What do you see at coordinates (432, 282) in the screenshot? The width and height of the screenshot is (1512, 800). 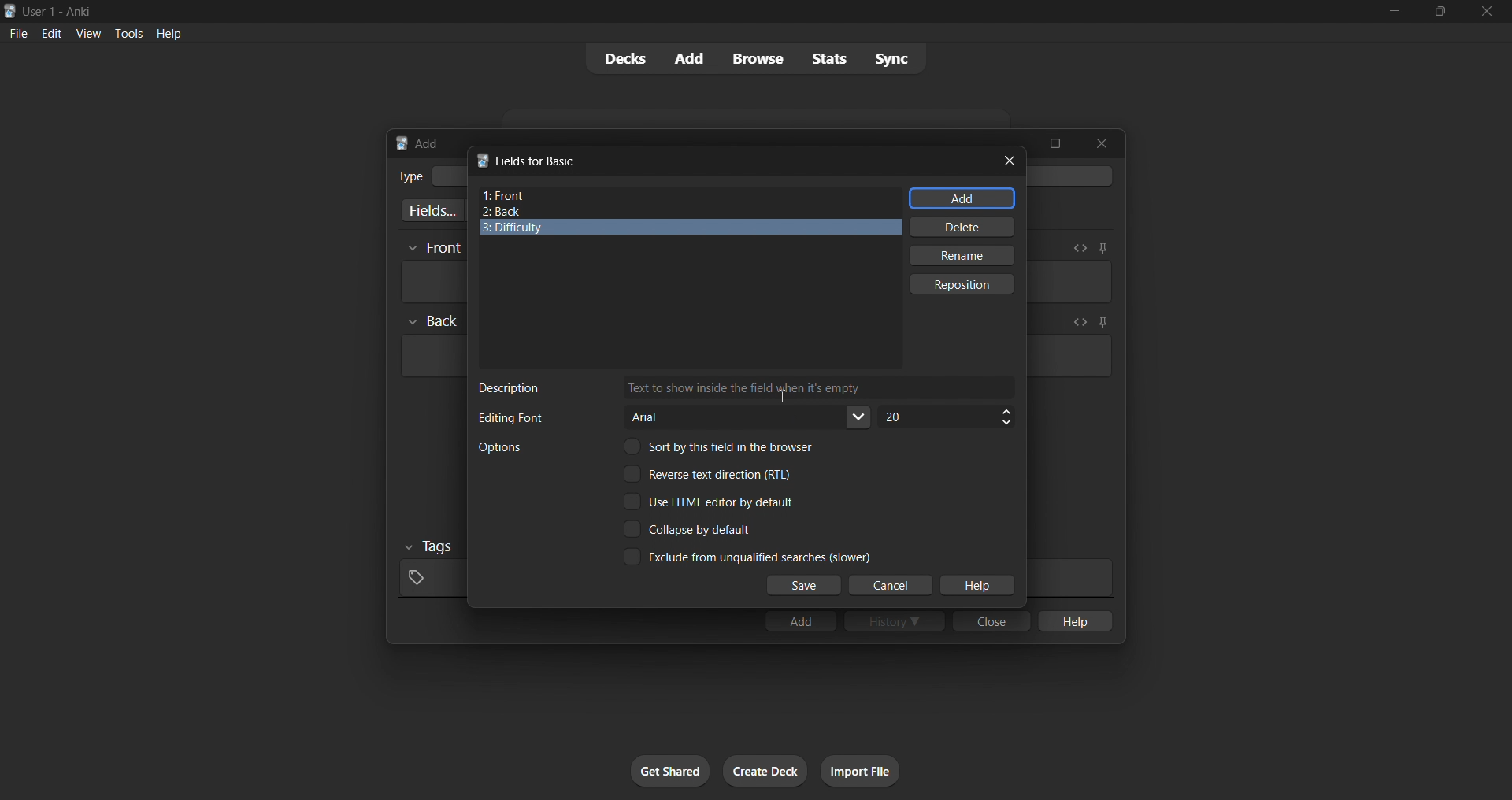 I see `card front input` at bounding box center [432, 282].